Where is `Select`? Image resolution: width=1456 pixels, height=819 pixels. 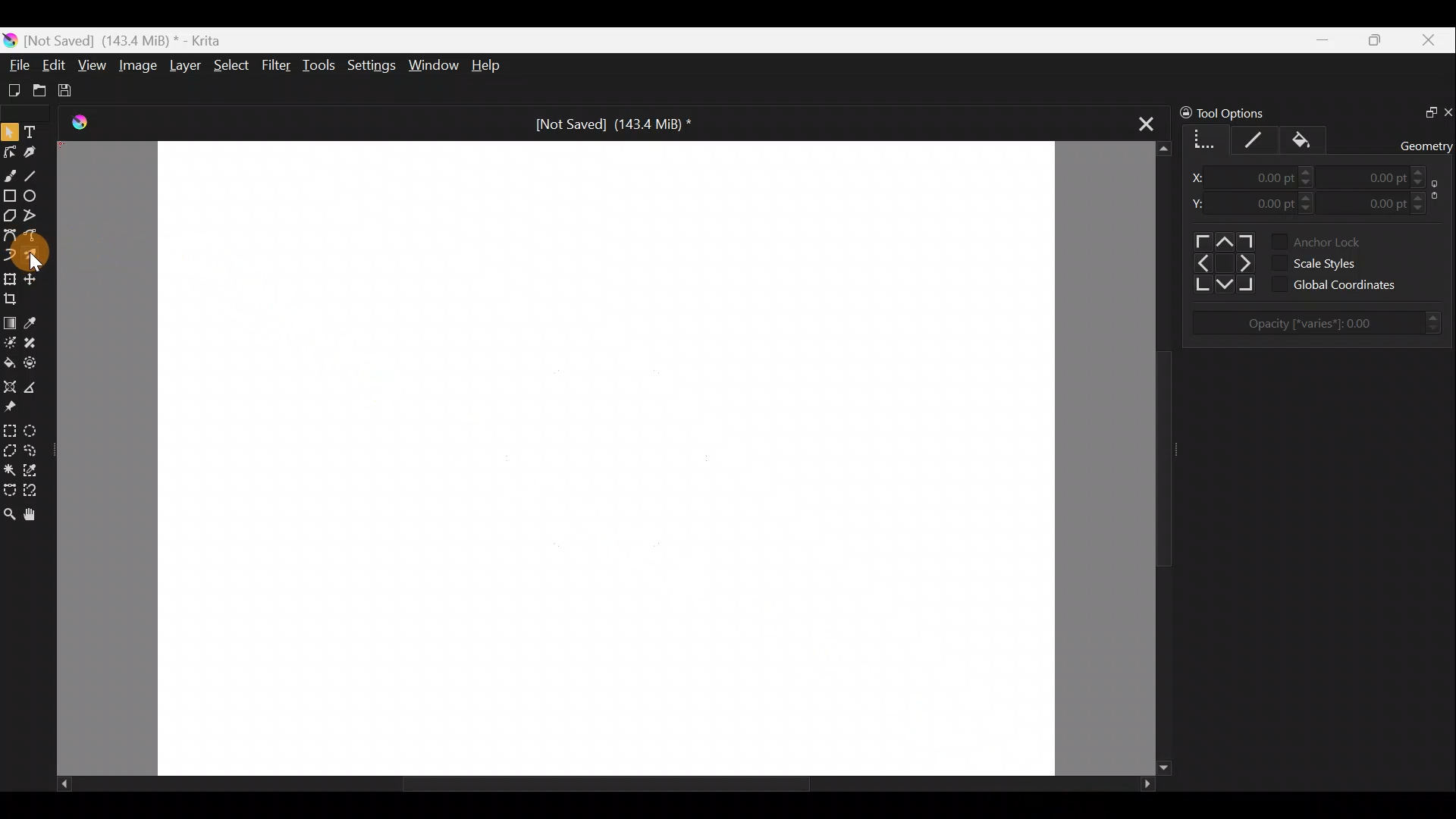
Select is located at coordinates (232, 65).